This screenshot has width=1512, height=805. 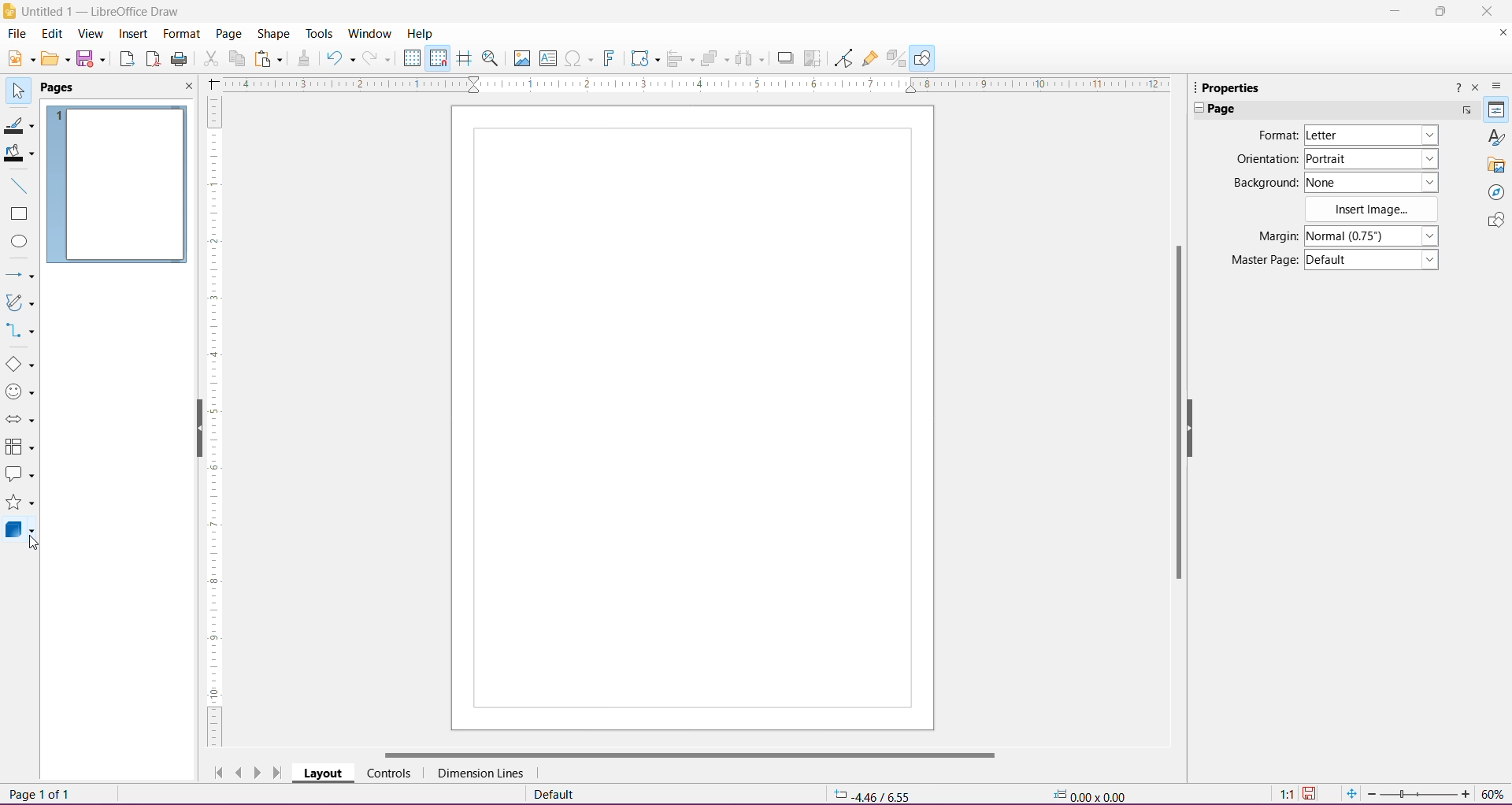 What do you see at coordinates (1228, 87) in the screenshot?
I see `Properties` at bounding box center [1228, 87].